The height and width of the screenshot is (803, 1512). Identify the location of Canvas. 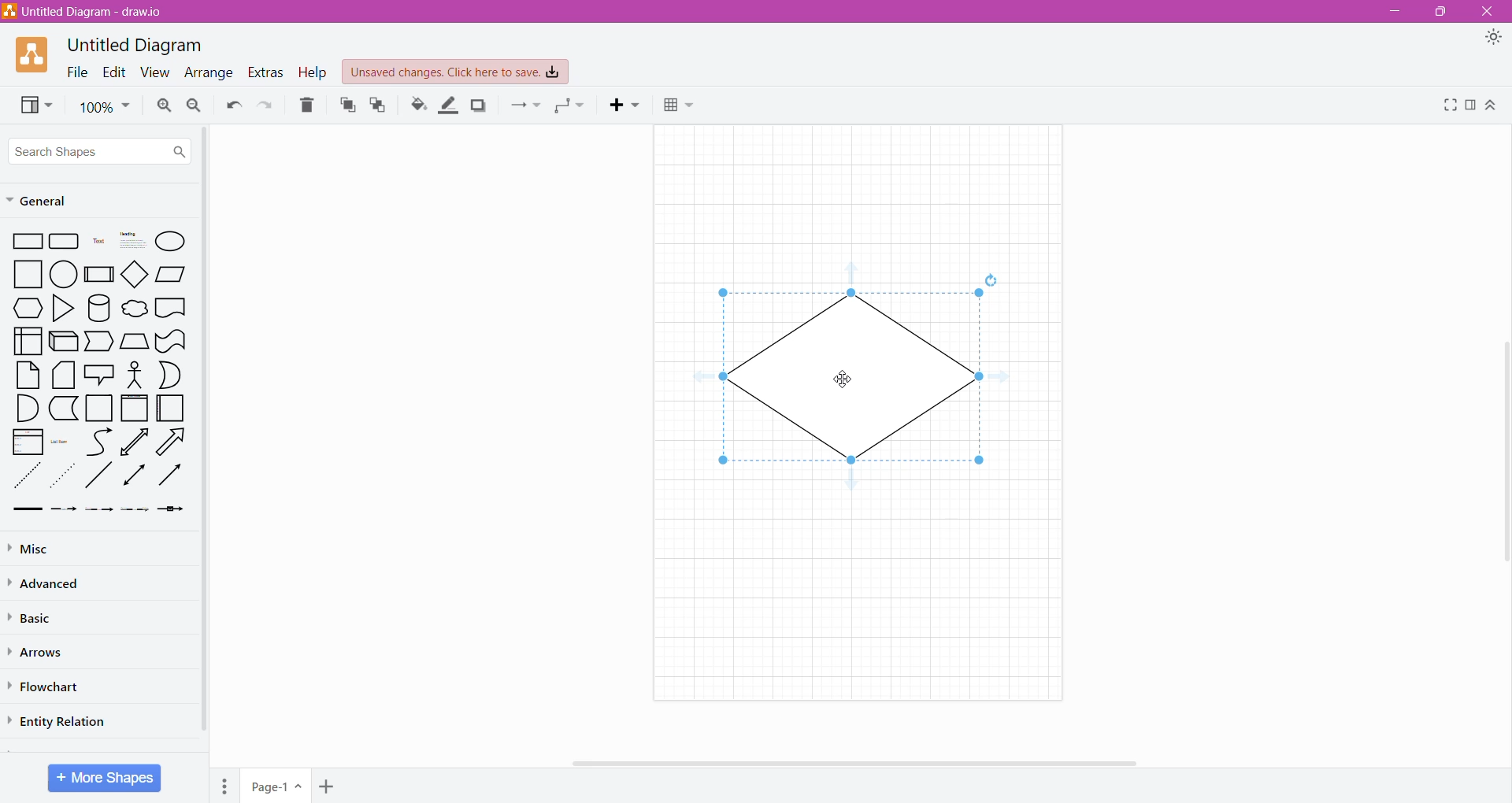
(855, 409).